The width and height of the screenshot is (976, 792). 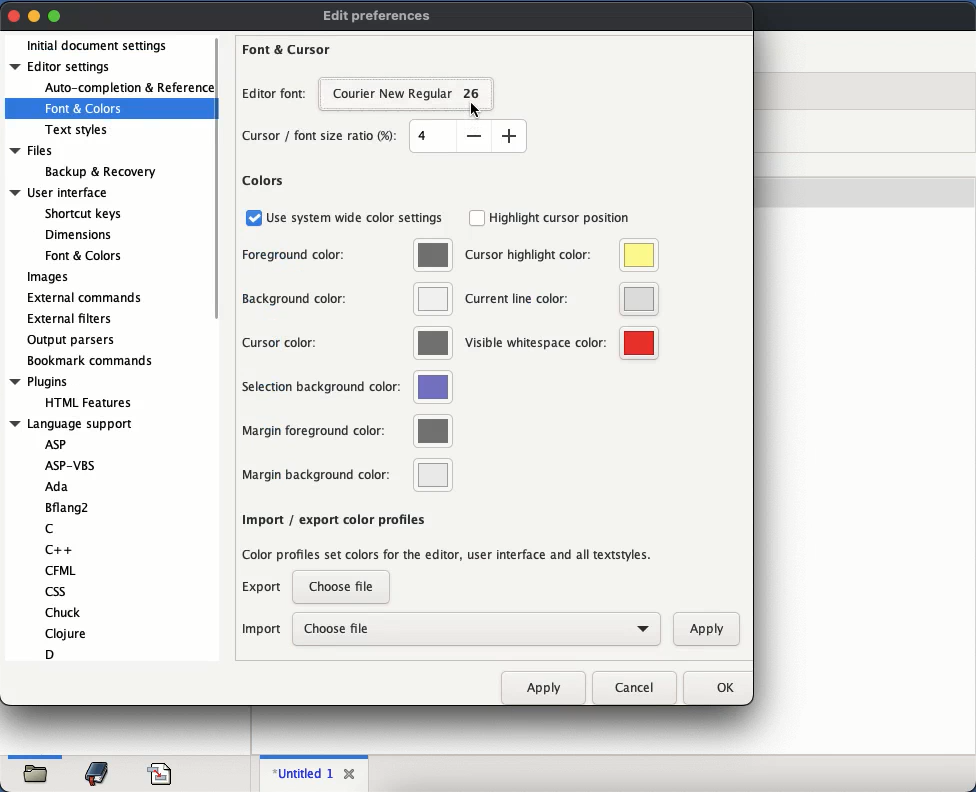 What do you see at coordinates (263, 587) in the screenshot?
I see `export` at bounding box center [263, 587].